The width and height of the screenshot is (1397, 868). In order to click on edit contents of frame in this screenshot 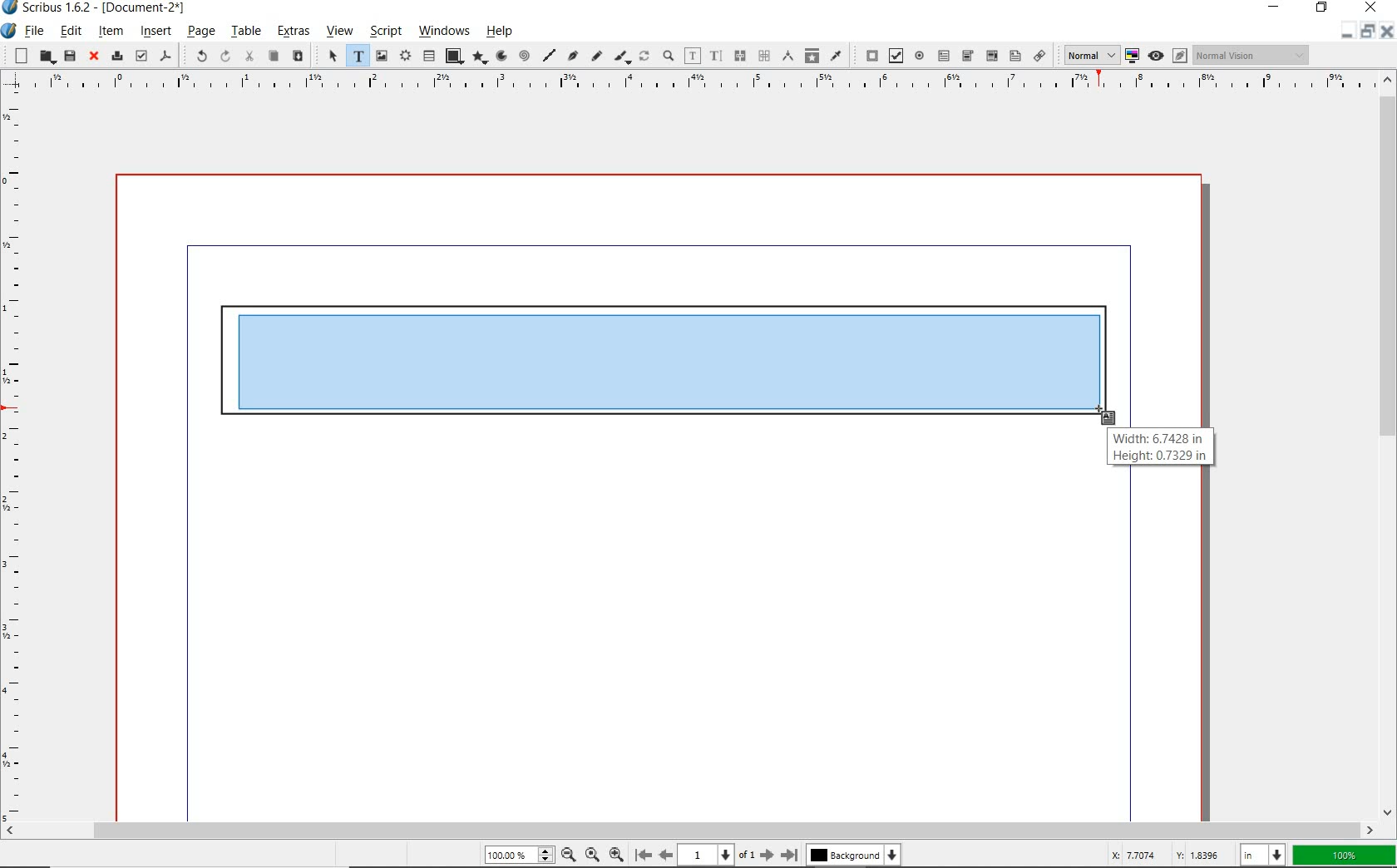, I will do `click(692, 56)`.